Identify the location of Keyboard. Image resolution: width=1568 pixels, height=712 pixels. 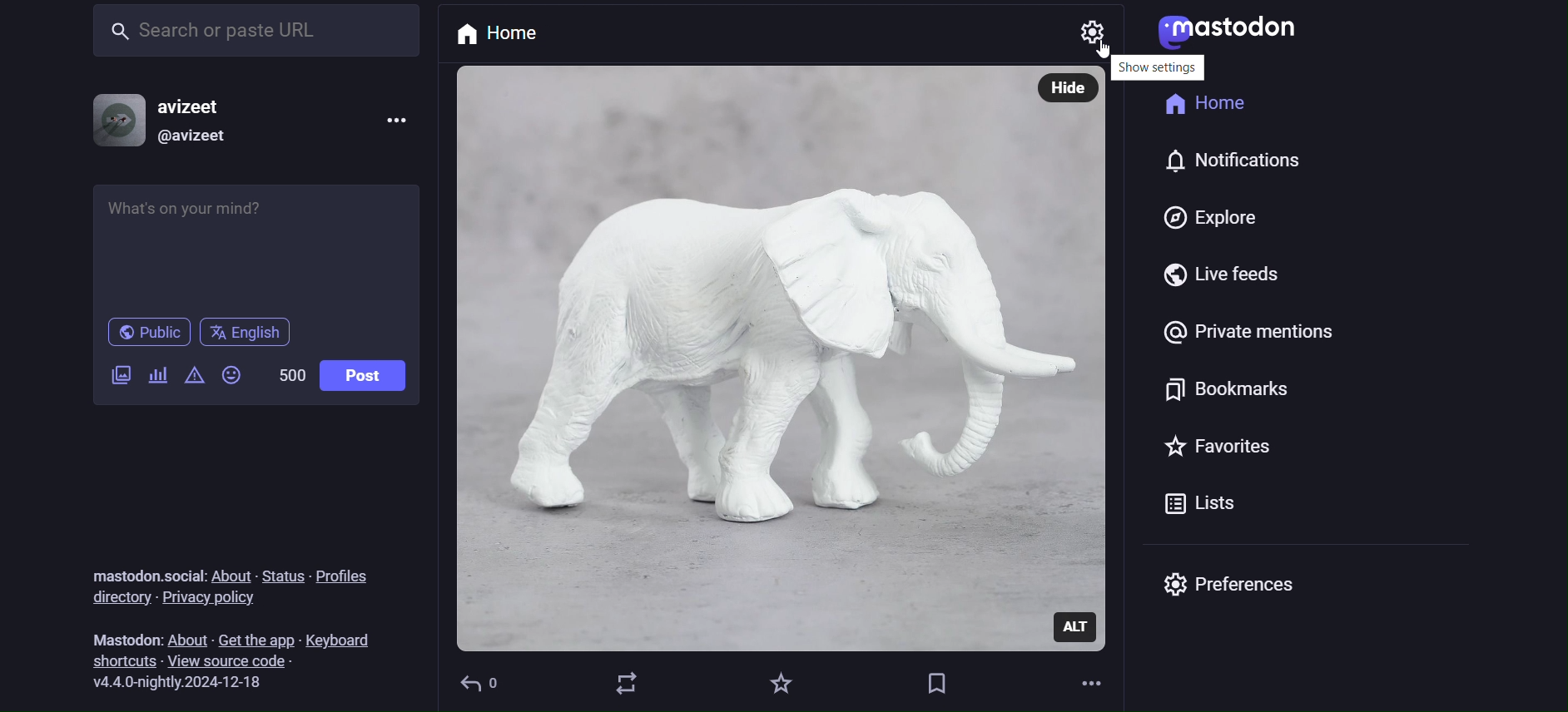
(345, 636).